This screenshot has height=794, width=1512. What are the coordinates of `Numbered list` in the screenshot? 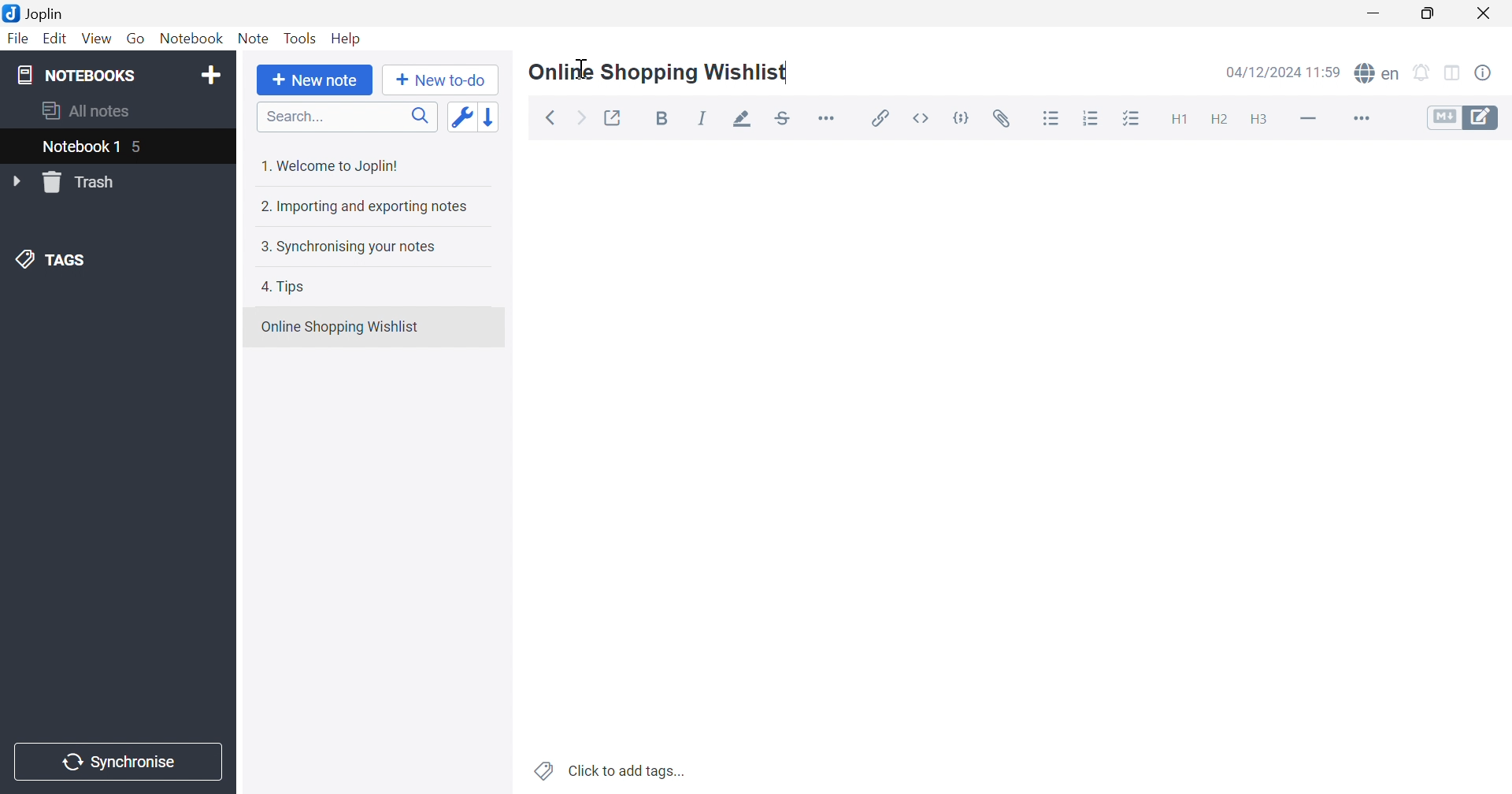 It's located at (1093, 120).